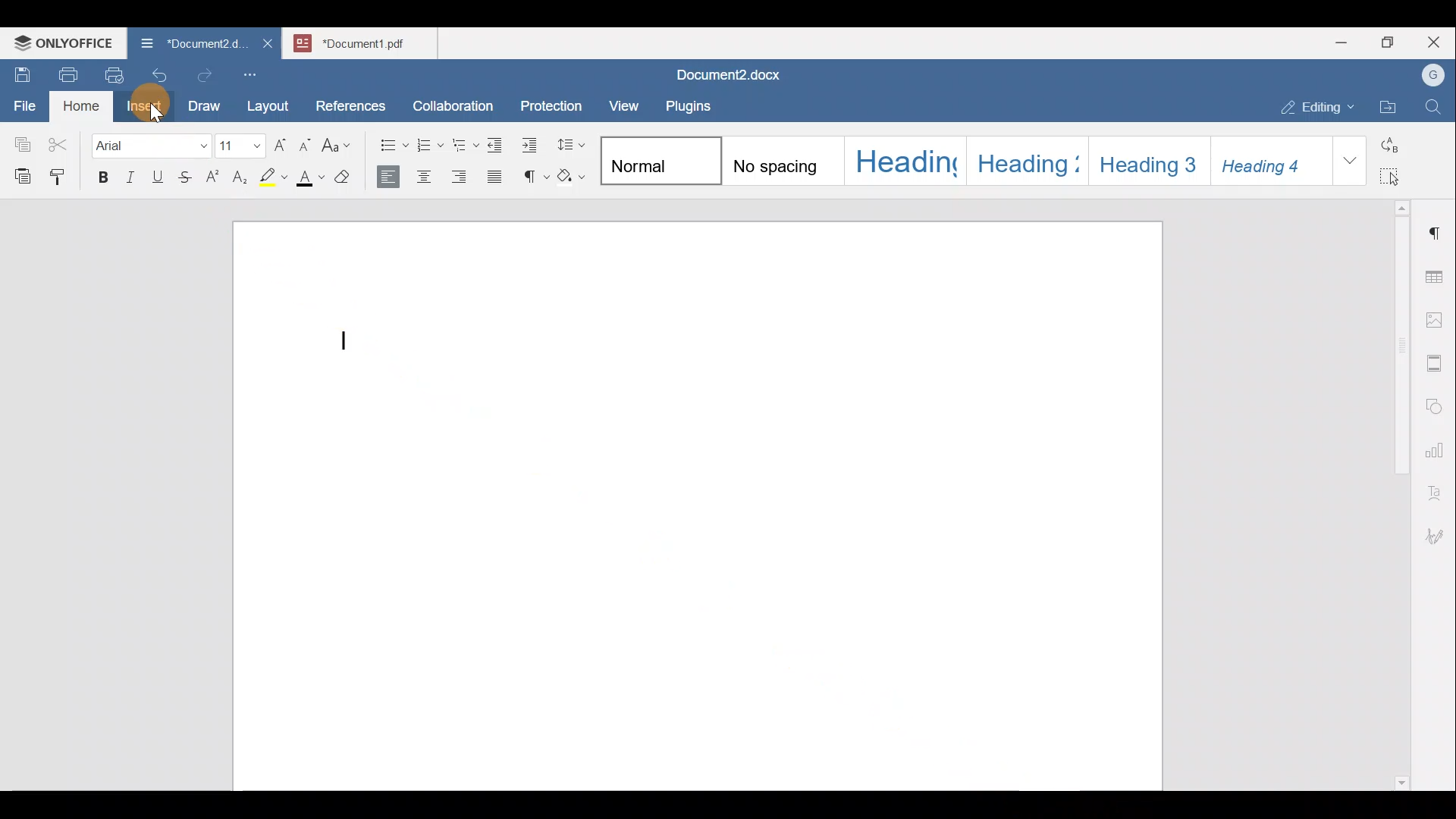 Image resolution: width=1456 pixels, height=819 pixels. I want to click on Bold, so click(101, 175).